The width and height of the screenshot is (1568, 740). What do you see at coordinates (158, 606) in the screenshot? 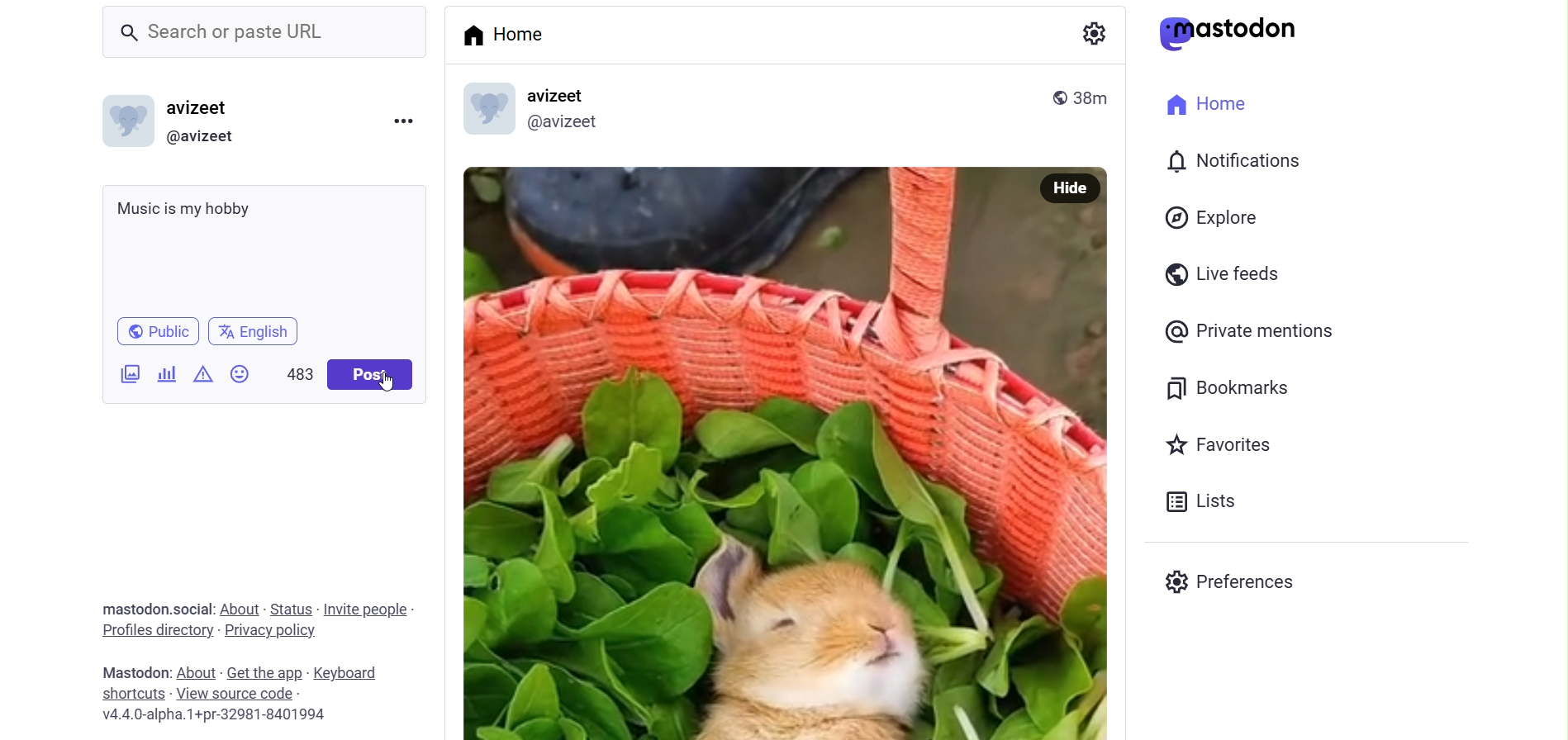
I see `mastodon.social` at bounding box center [158, 606].